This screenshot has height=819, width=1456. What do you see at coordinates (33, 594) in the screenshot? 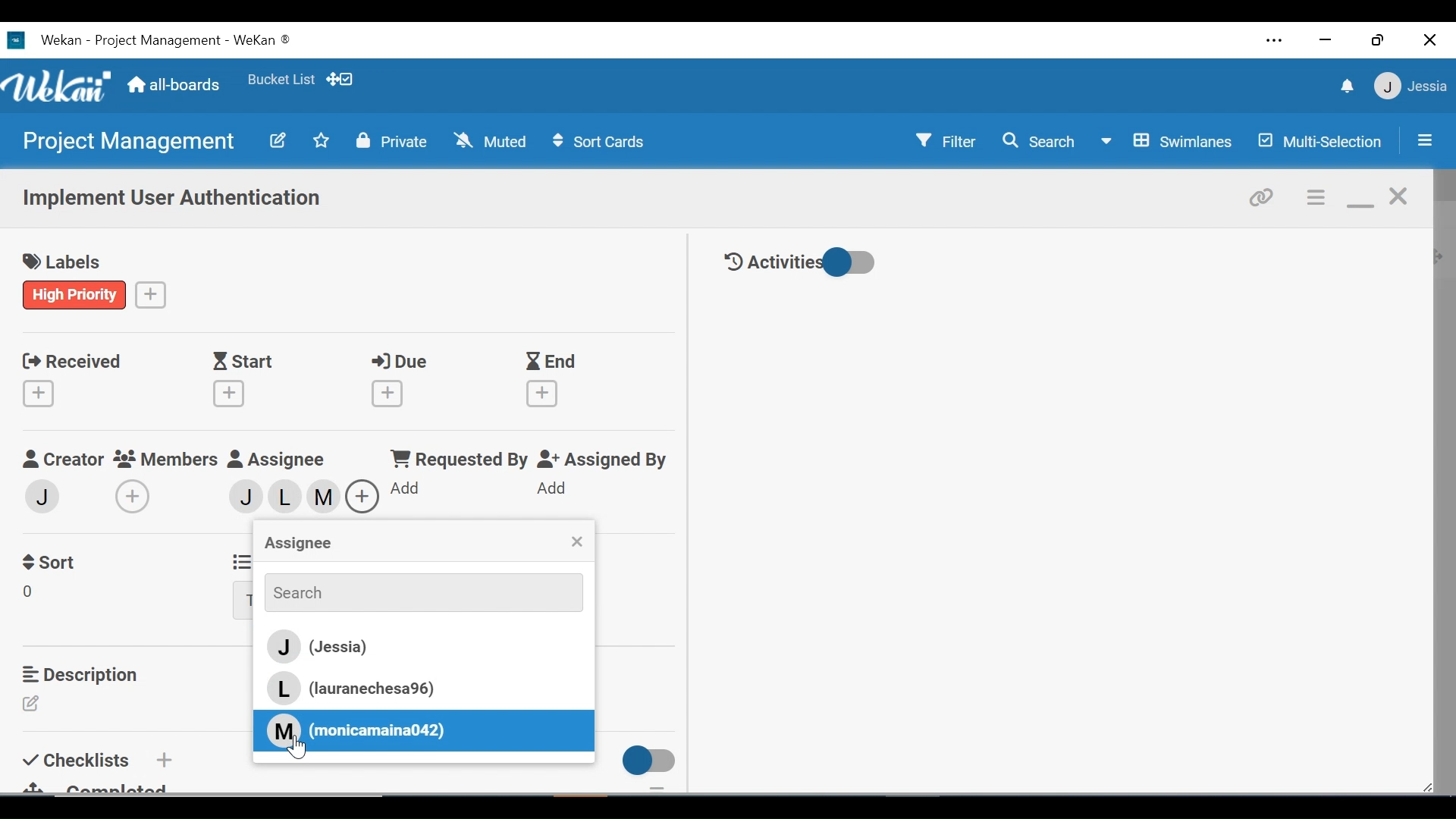
I see `Field` at bounding box center [33, 594].